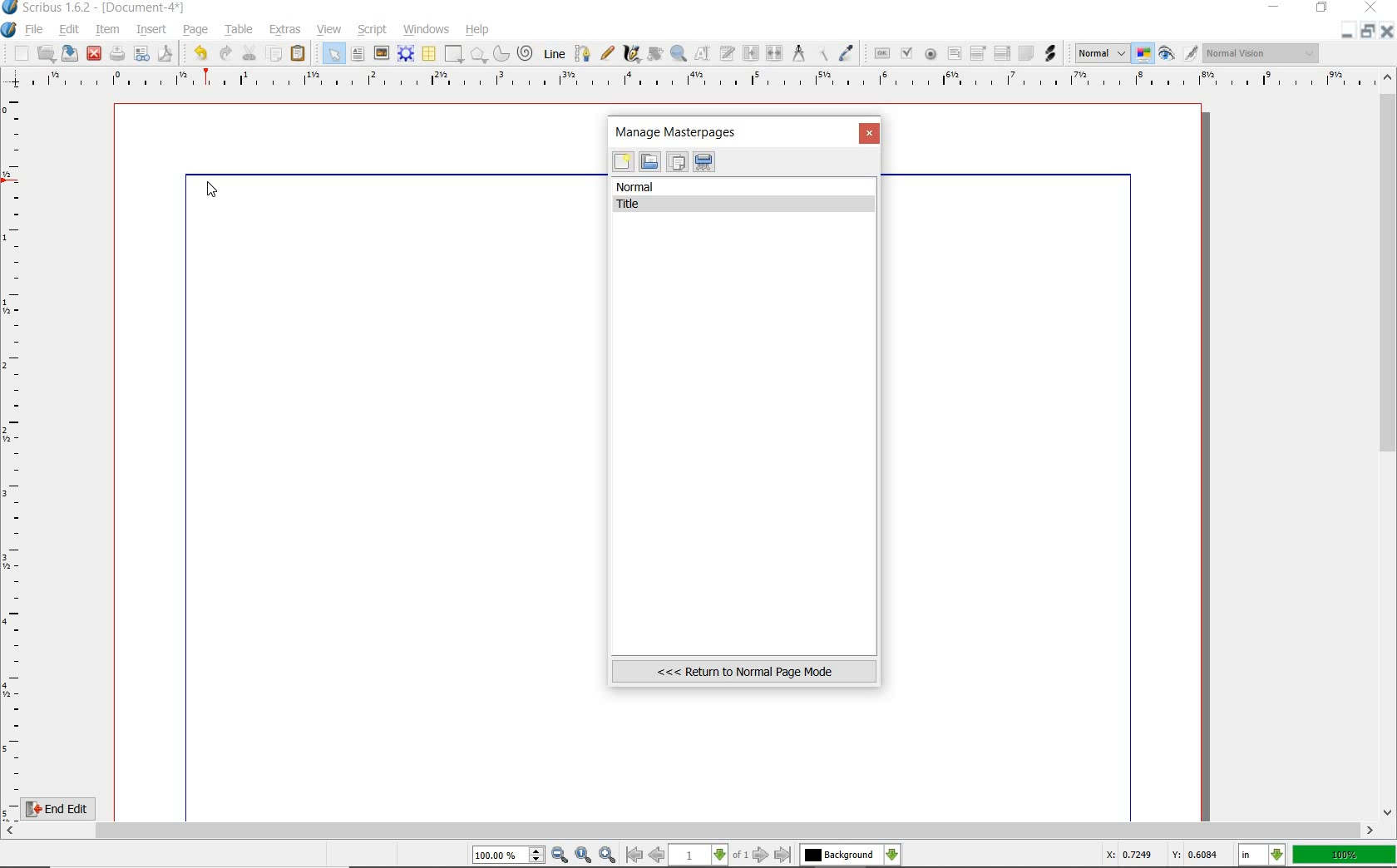 The width and height of the screenshot is (1397, 868). Describe the element at coordinates (373, 28) in the screenshot. I see `script` at that location.